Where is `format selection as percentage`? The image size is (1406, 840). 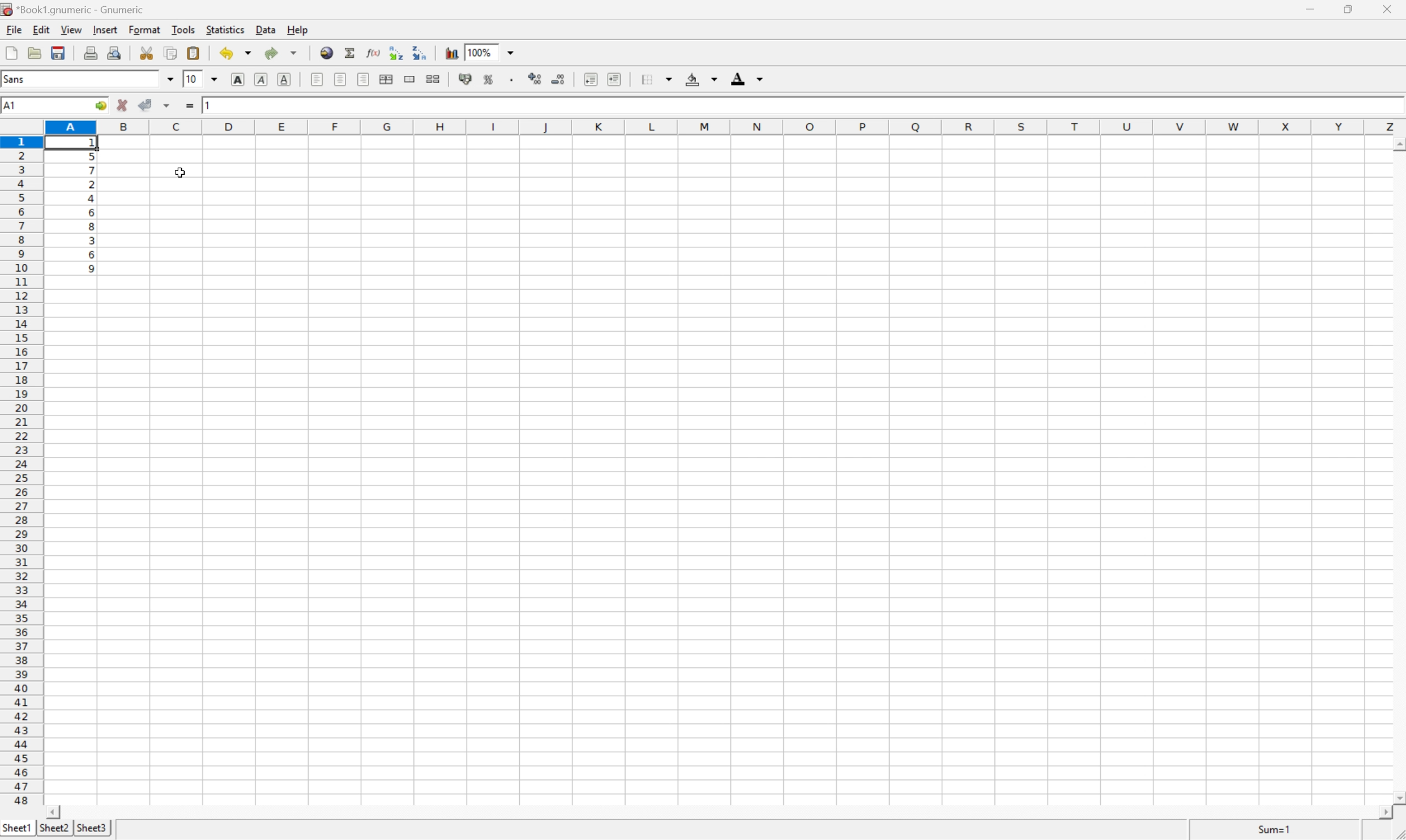 format selection as percentage is located at coordinates (490, 79).